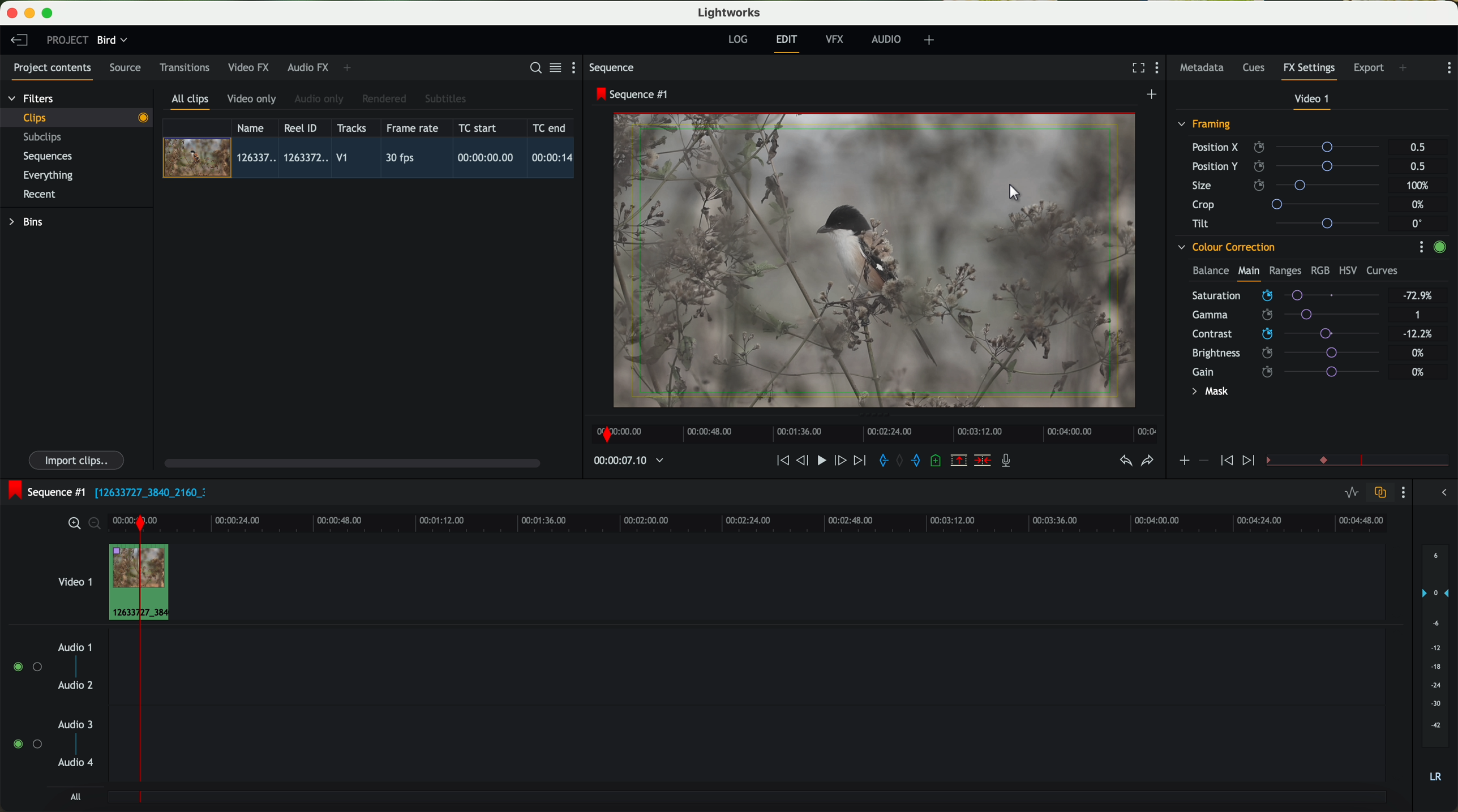 This screenshot has height=812, width=1458. I want to click on curves, so click(1382, 271).